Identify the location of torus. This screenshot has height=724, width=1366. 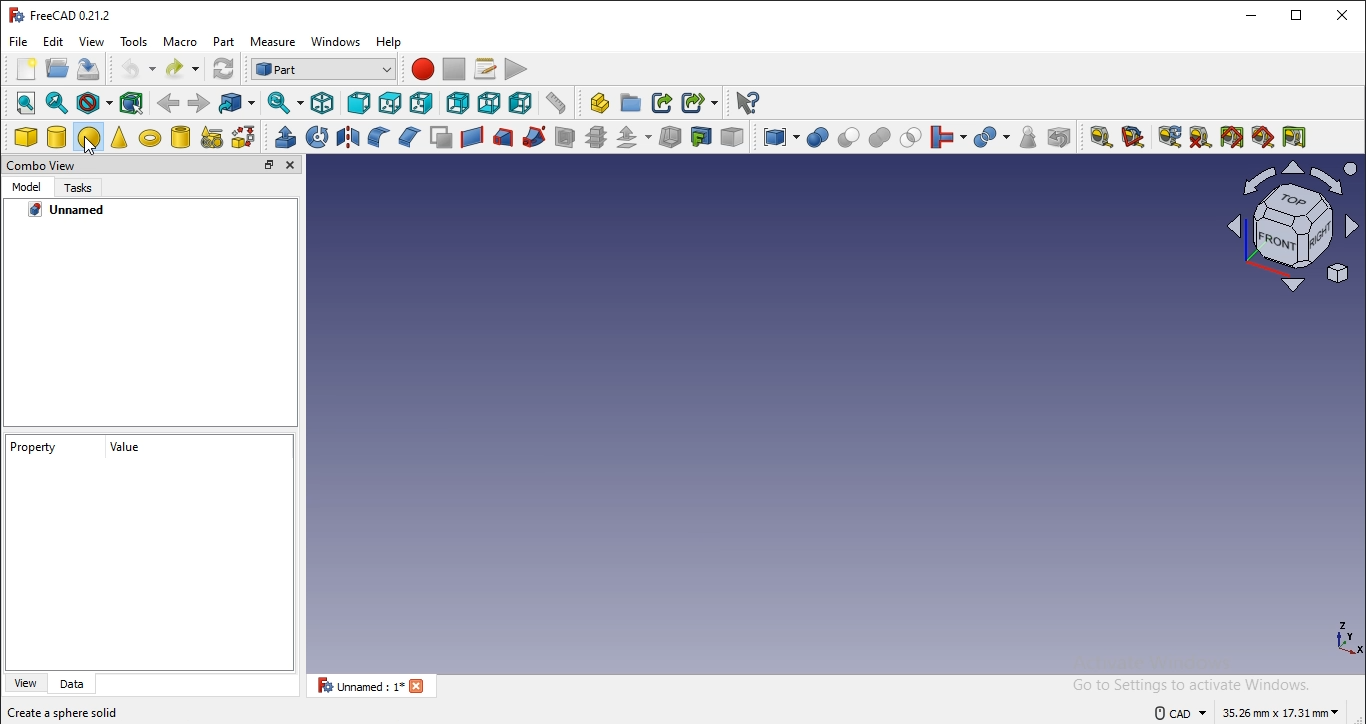
(147, 138).